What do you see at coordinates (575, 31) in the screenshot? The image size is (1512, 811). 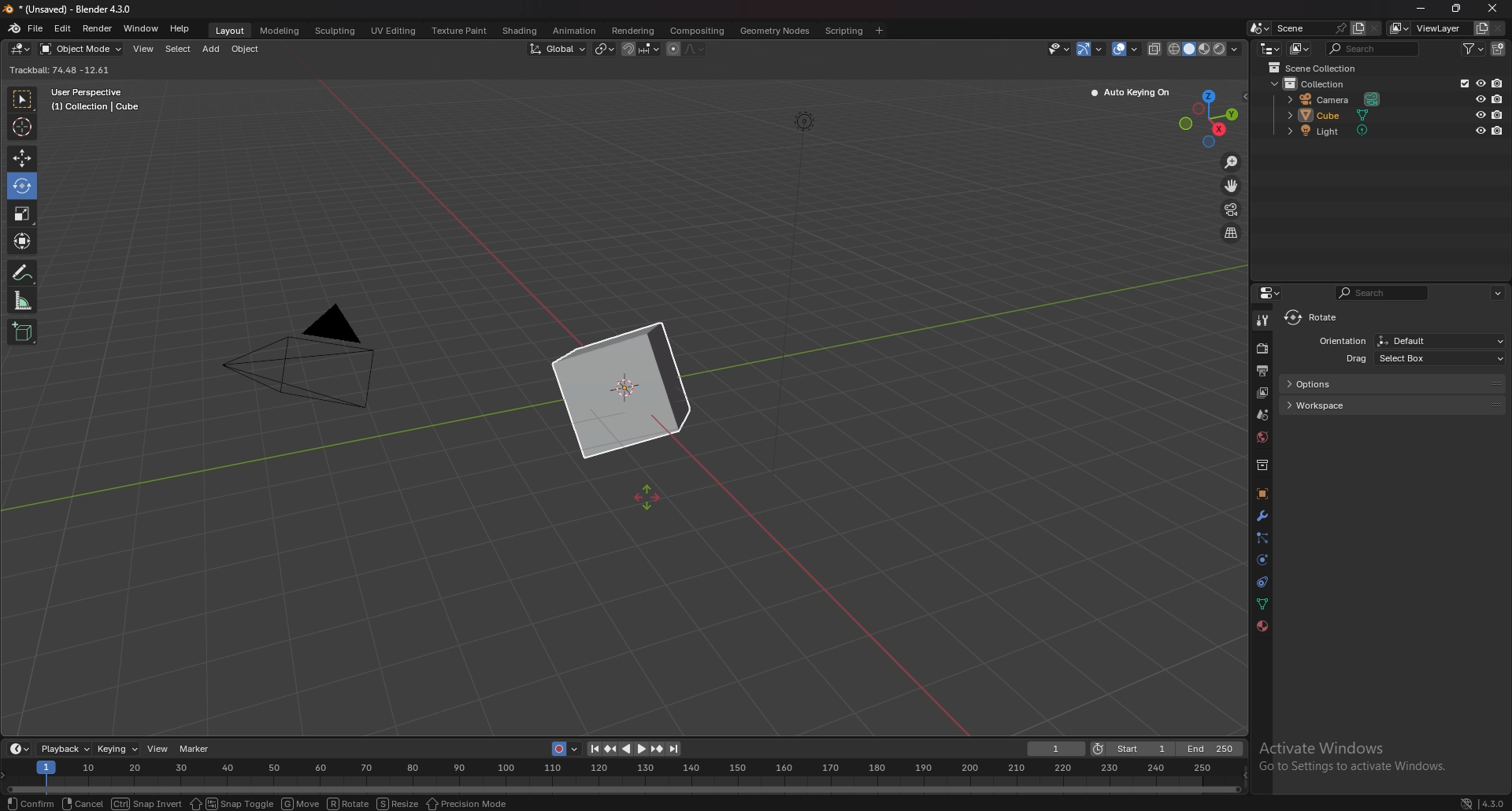 I see `animation` at bounding box center [575, 31].